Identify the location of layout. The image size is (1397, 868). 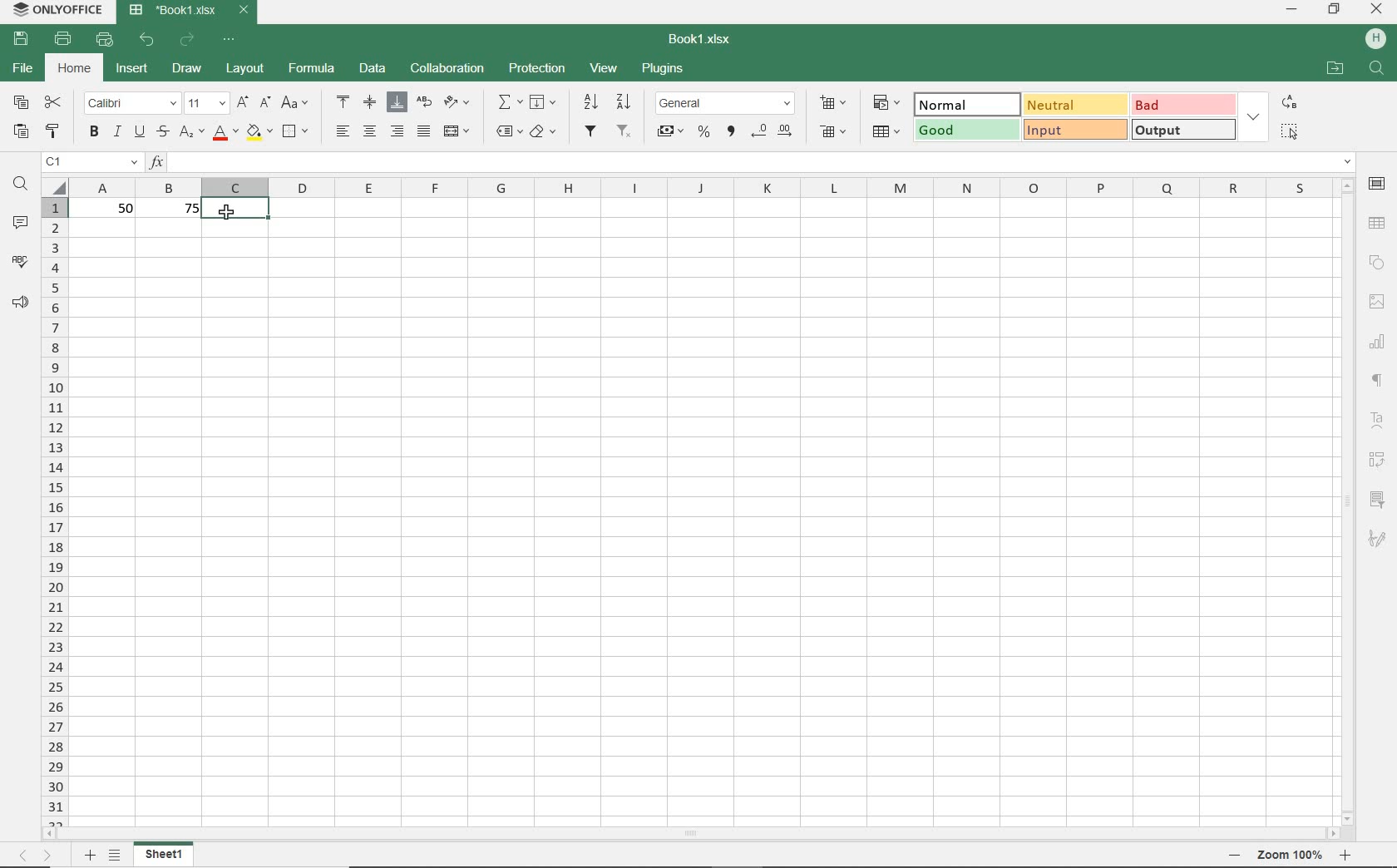
(243, 69).